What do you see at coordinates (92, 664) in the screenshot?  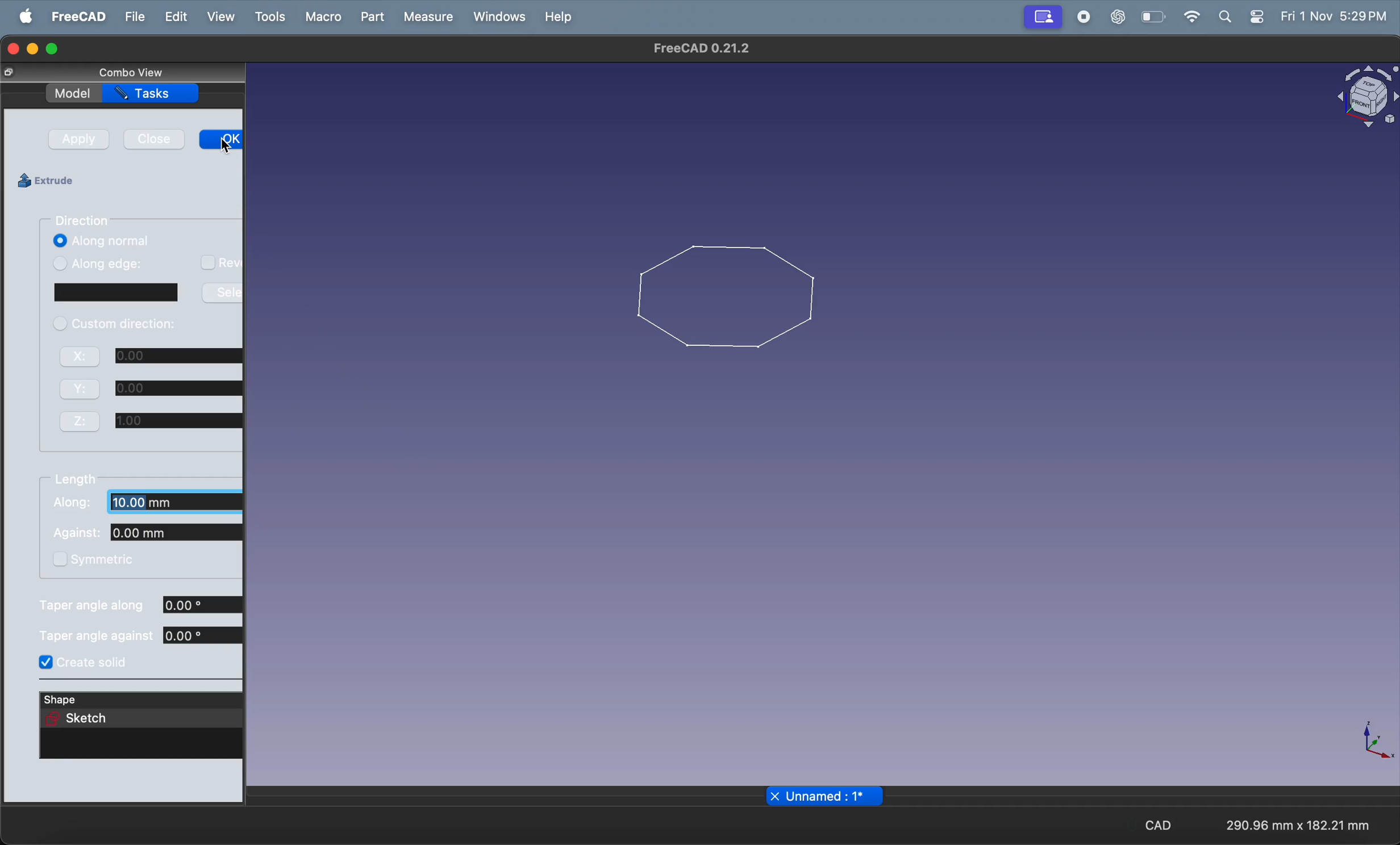 I see `create soild` at bounding box center [92, 664].